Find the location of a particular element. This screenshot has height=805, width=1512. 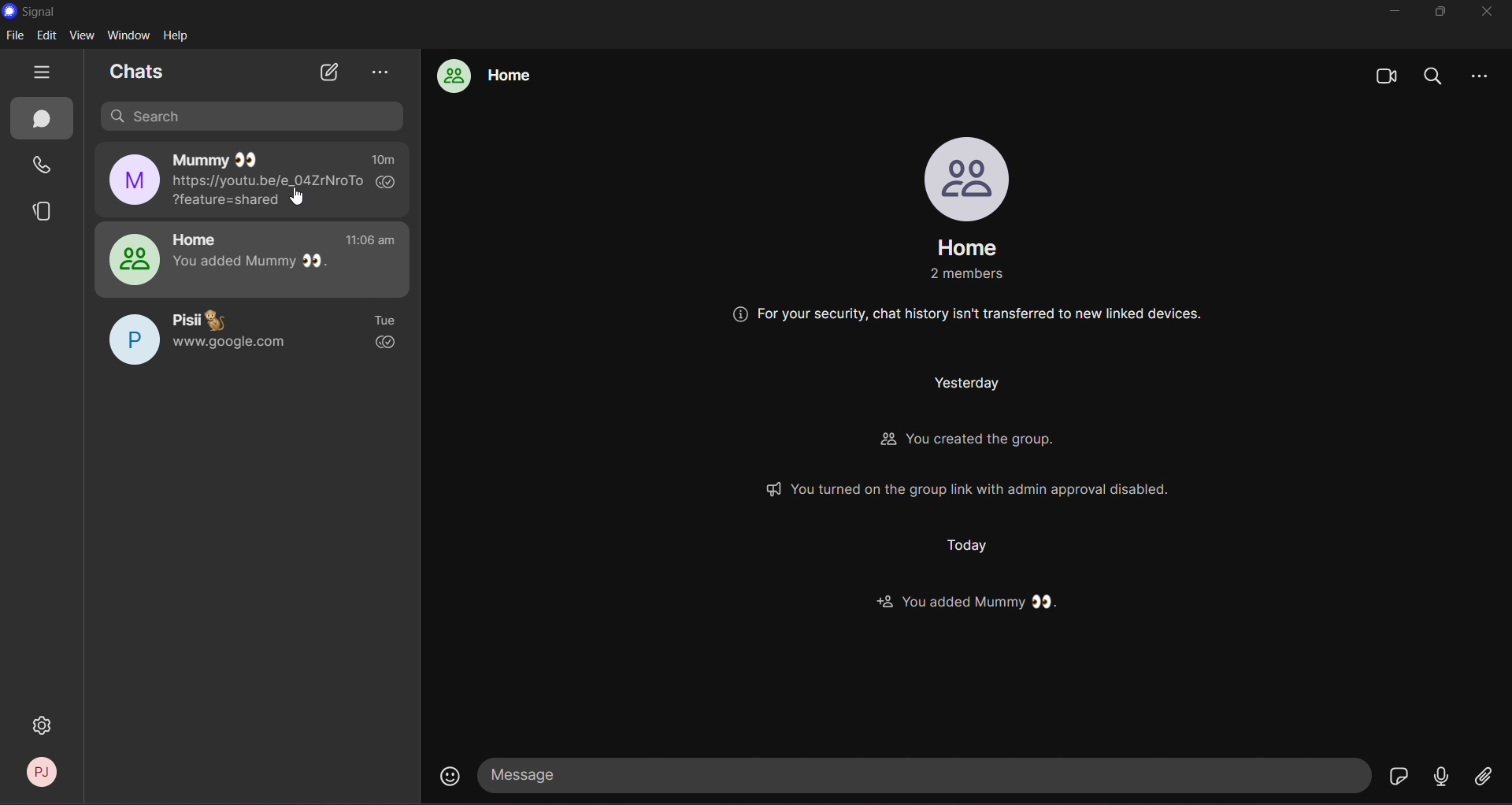

logo is located at coordinates (11, 11).